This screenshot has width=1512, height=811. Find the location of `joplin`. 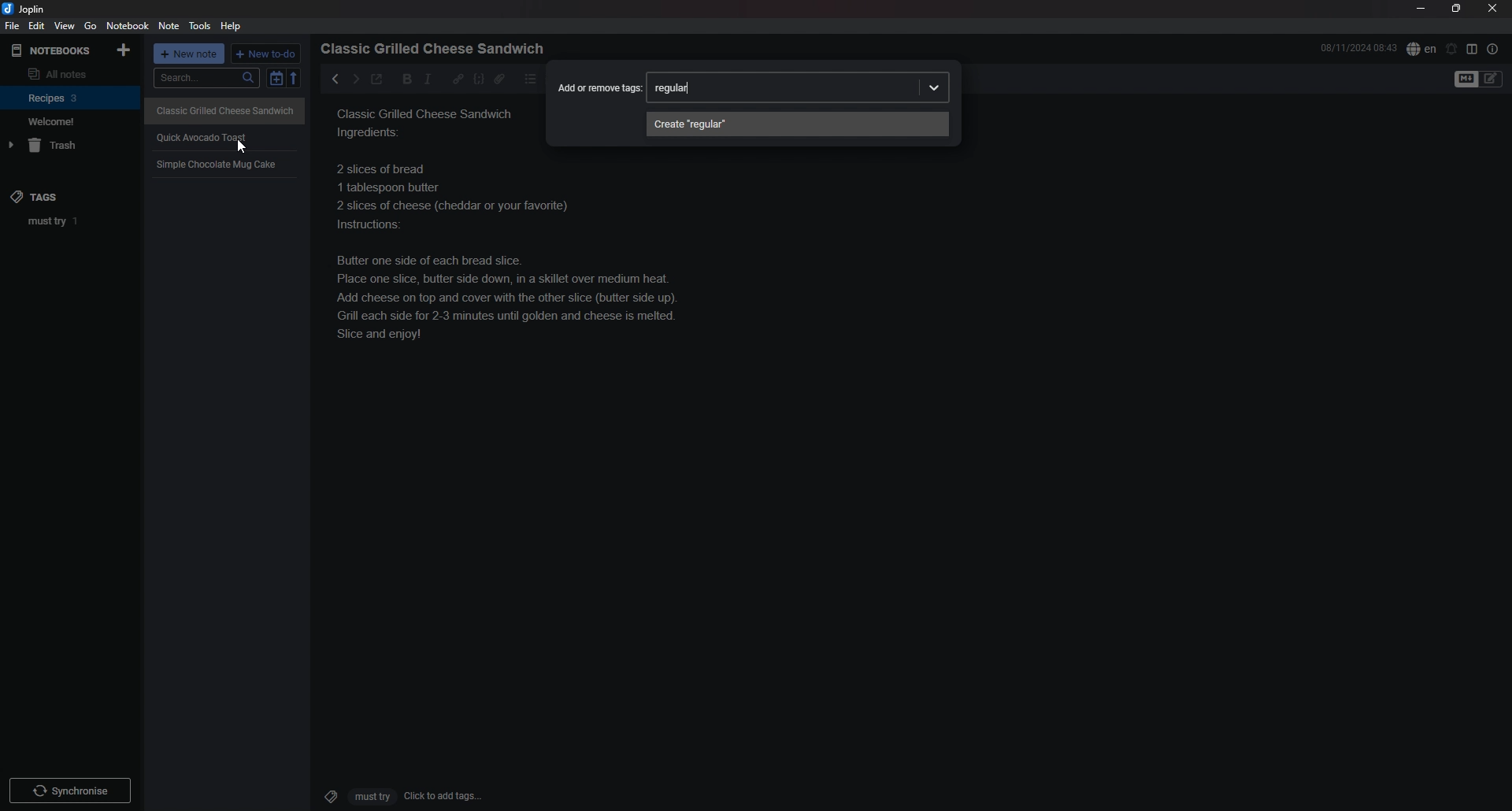

joplin is located at coordinates (26, 9).